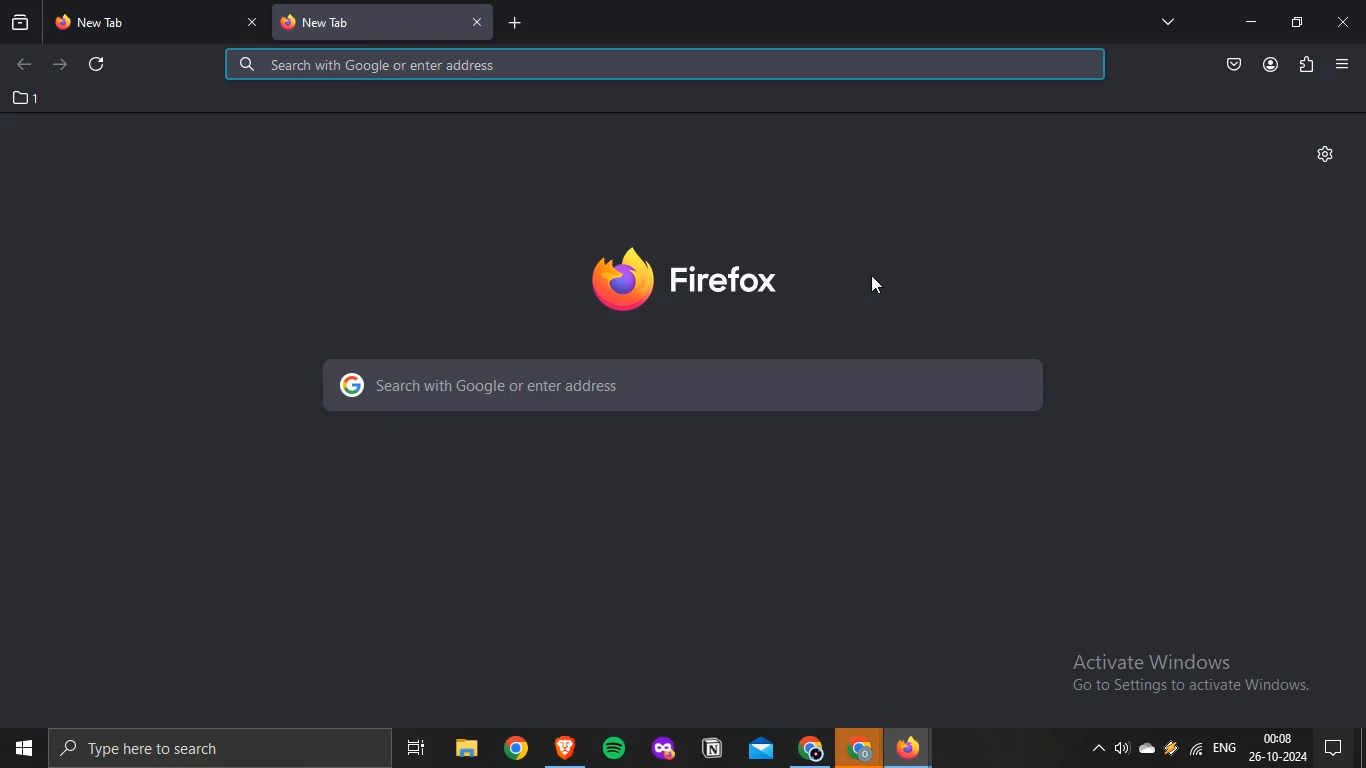 This screenshot has width=1366, height=768. I want to click on chrome, so click(860, 748).